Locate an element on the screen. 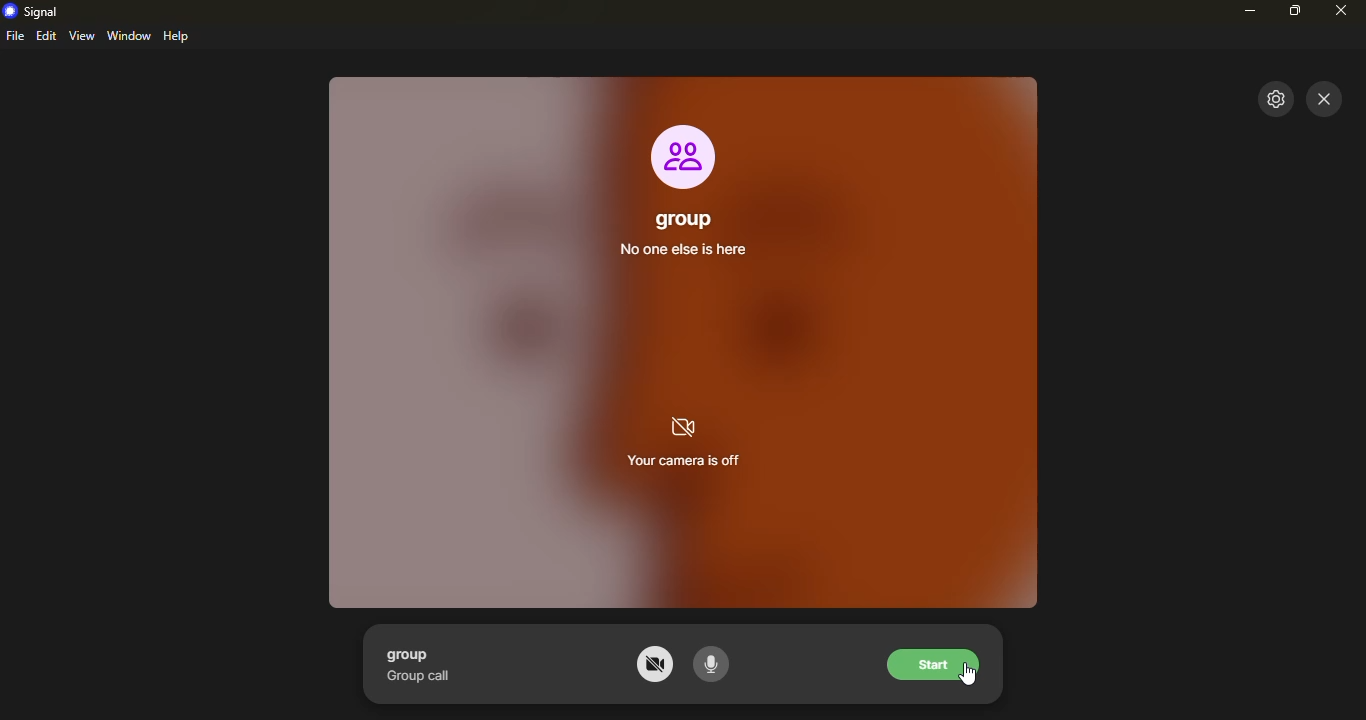 Image resolution: width=1366 pixels, height=720 pixels. No one else is here is located at coordinates (692, 250).